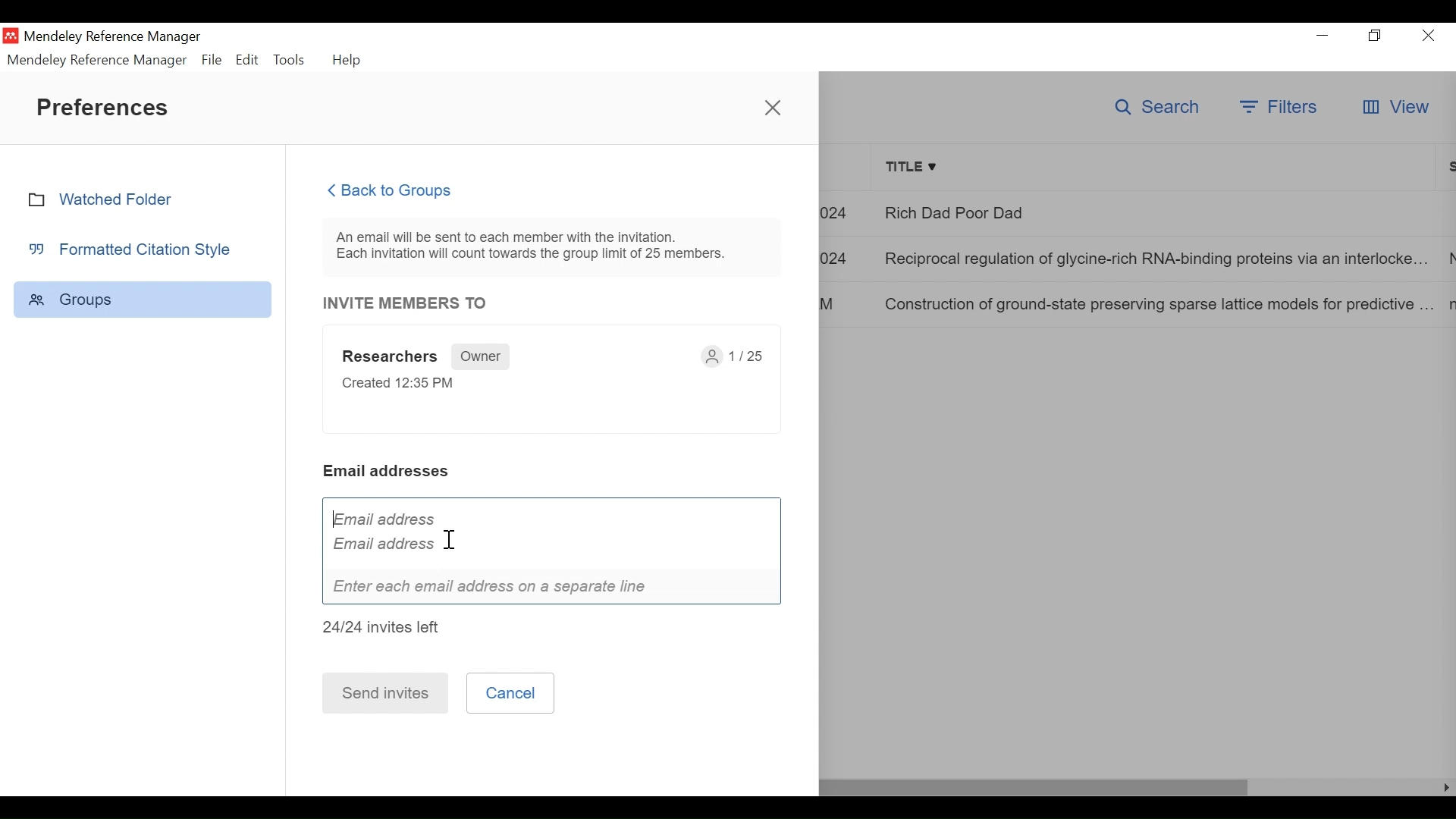 The image size is (1456, 819). Describe the element at coordinates (507, 693) in the screenshot. I see `Cancel` at that location.